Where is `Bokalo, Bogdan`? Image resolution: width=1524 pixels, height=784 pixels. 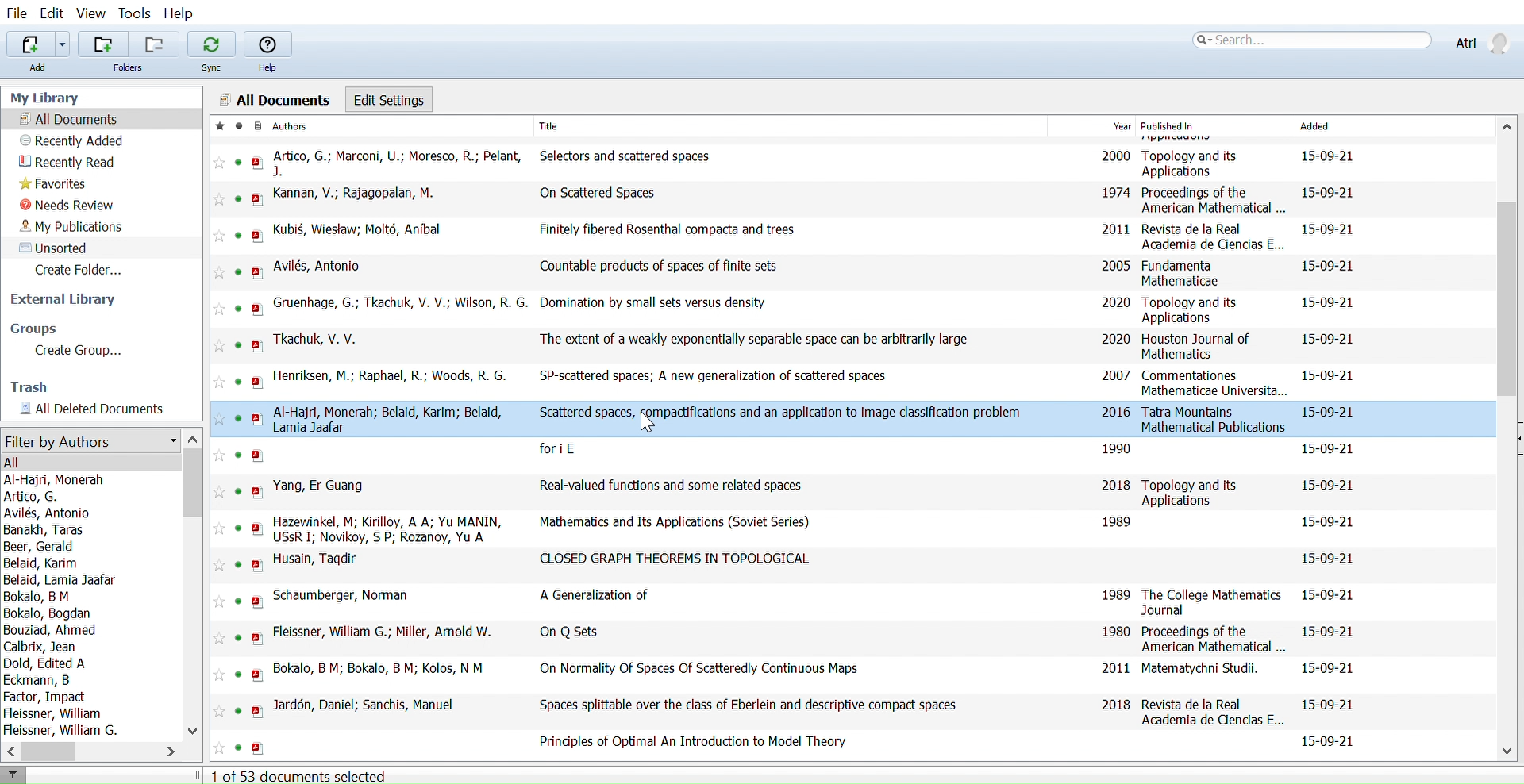
Bokalo, Bogdan is located at coordinates (46, 613).